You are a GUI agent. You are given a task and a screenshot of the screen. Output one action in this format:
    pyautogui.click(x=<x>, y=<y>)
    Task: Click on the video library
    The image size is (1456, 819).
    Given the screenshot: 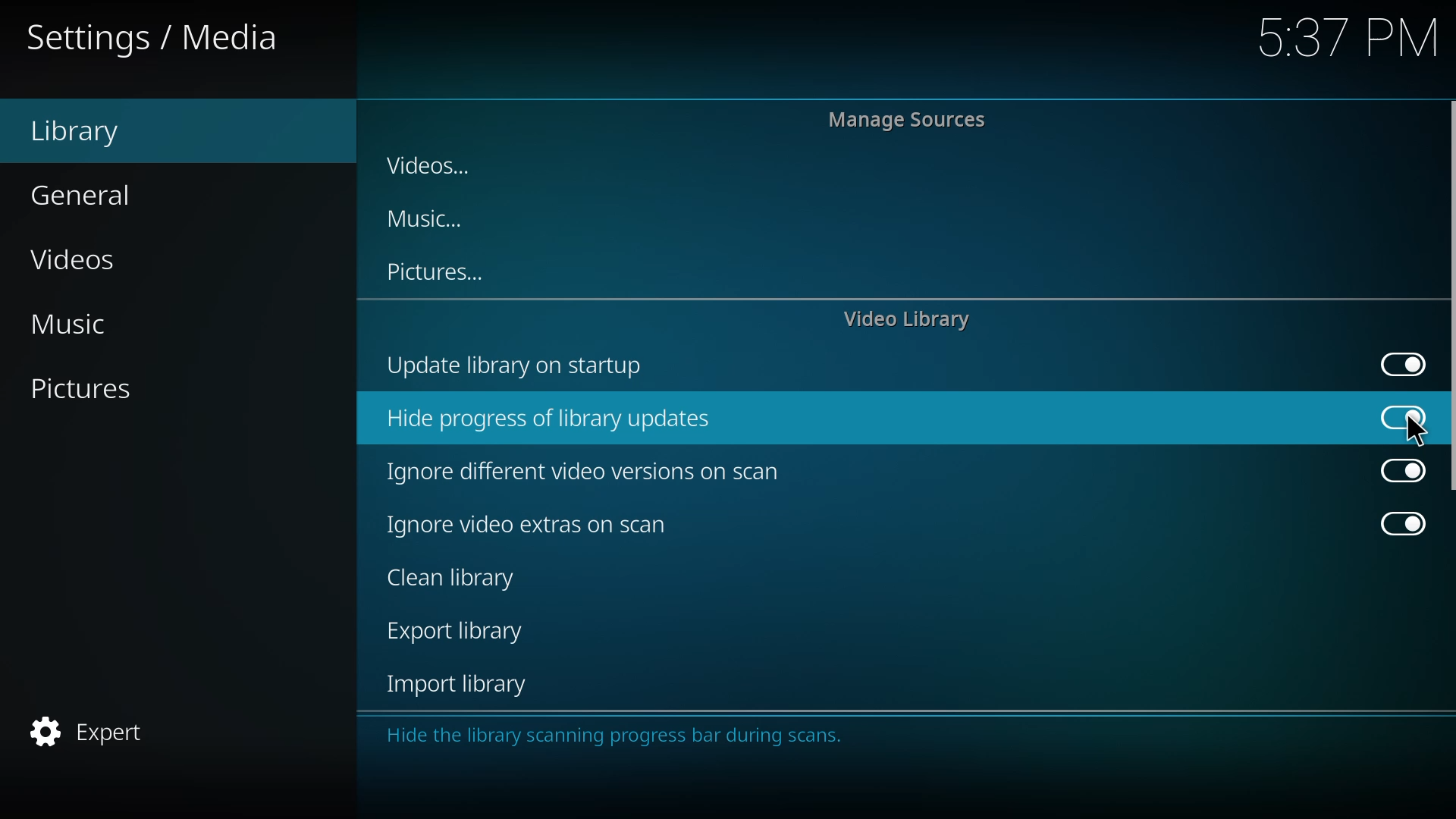 What is the action you would take?
    pyautogui.click(x=910, y=319)
    